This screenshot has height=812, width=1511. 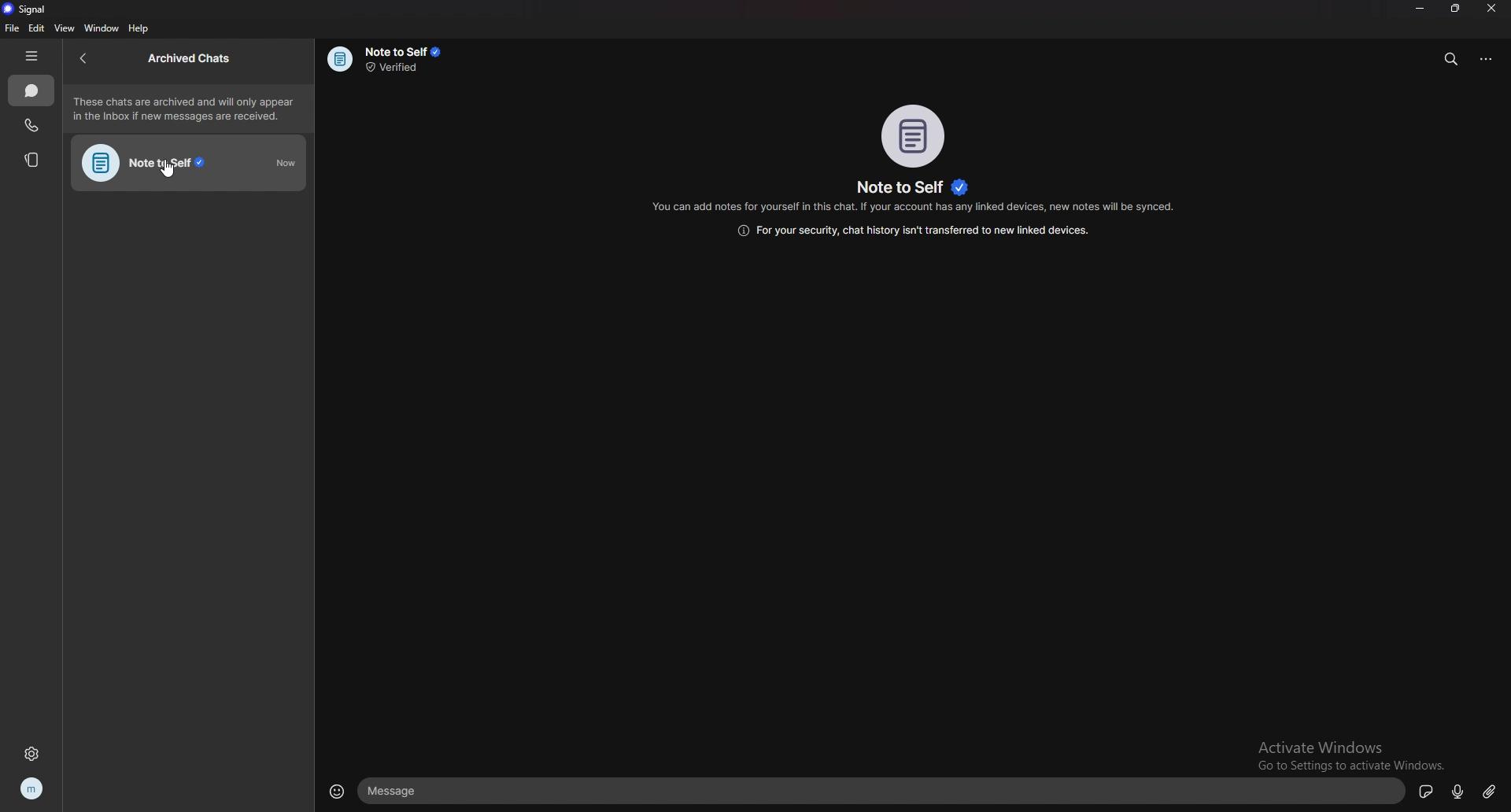 What do you see at coordinates (102, 28) in the screenshot?
I see `window` at bounding box center [102, 28].